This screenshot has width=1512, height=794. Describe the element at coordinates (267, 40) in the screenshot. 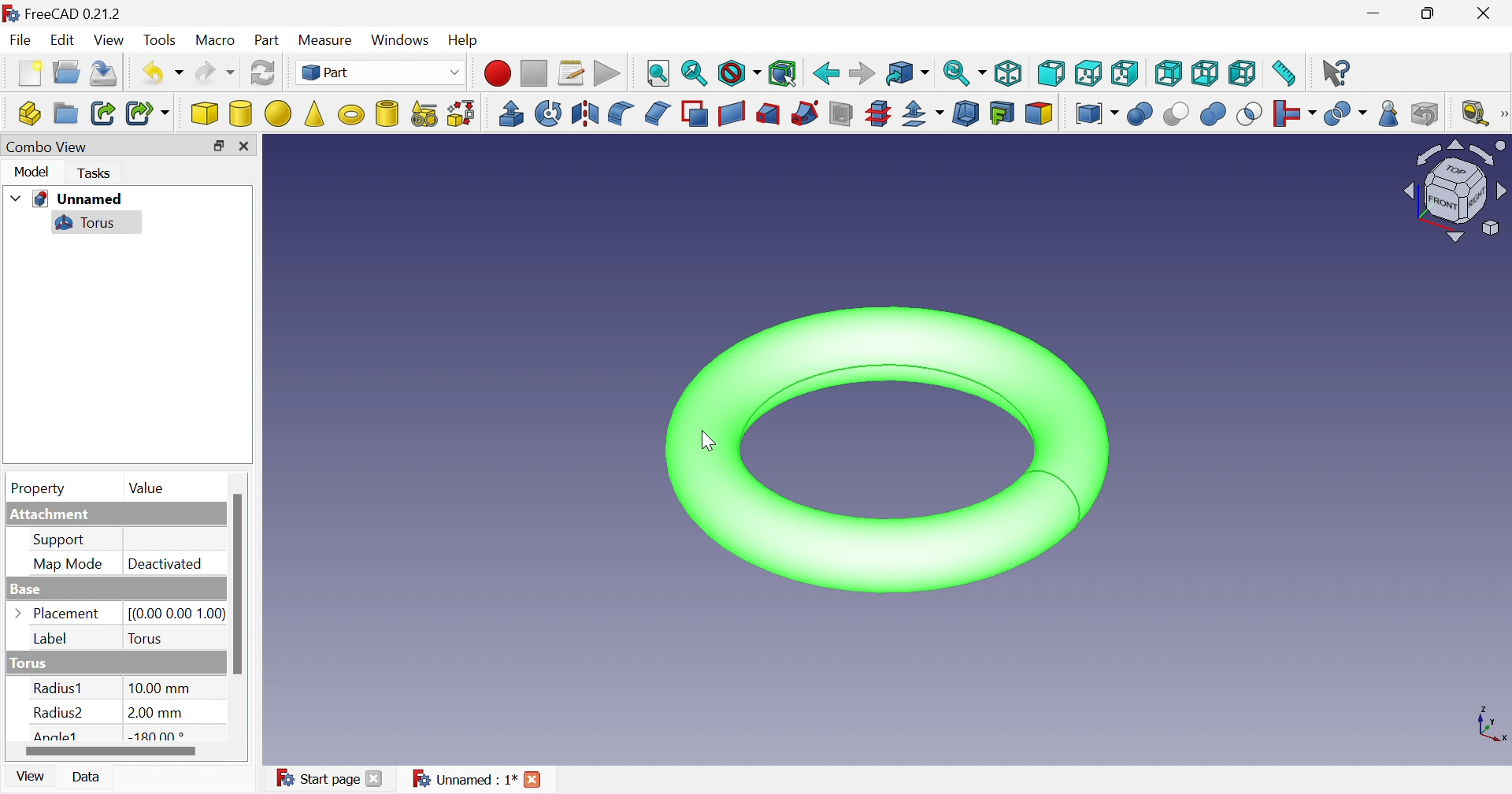

I see `Part` at that location.